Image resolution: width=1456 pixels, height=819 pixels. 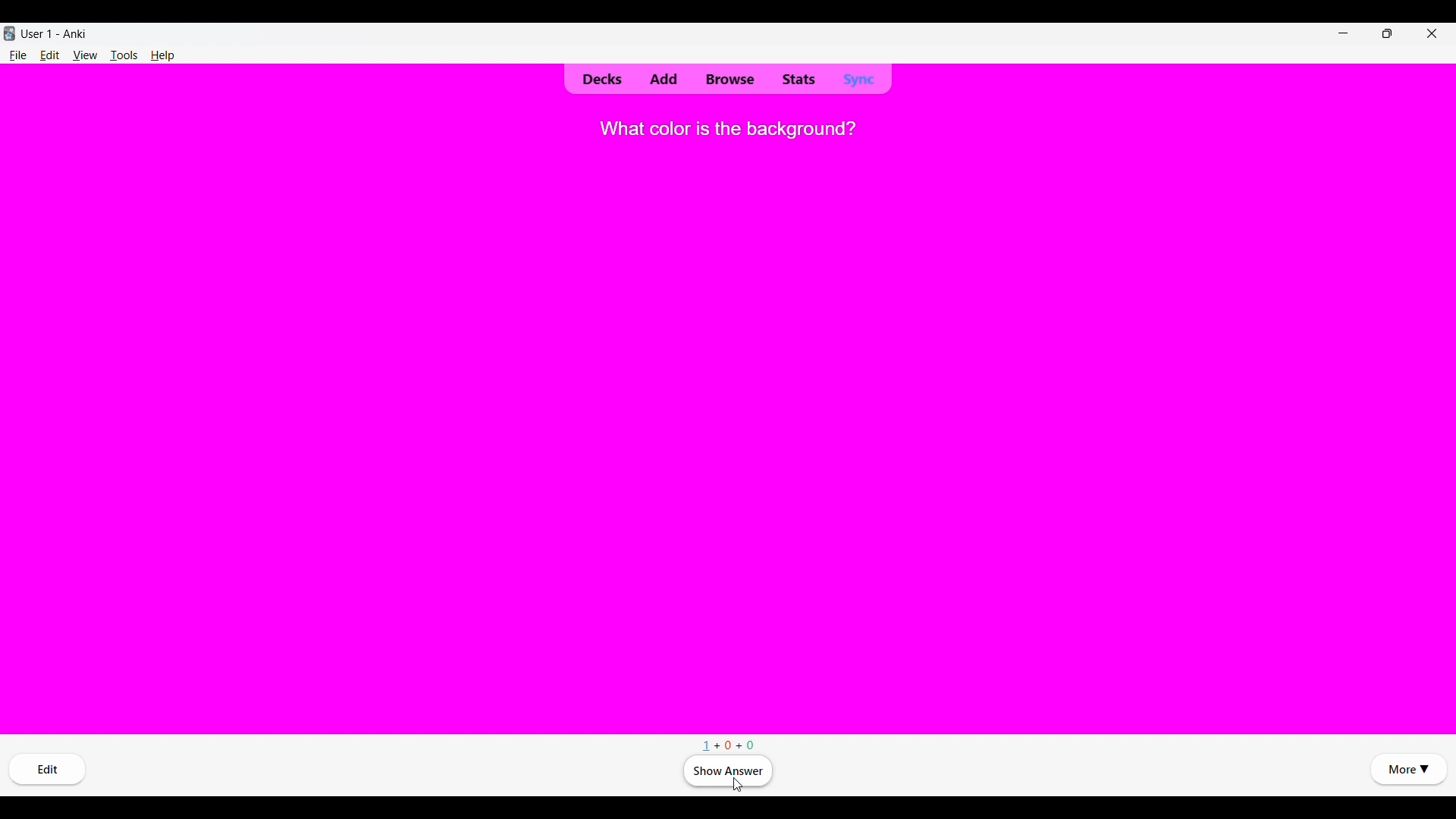 What do you see at coordinates (660, 79) in the screenshot?
I see `Add` at bounding box center [660, 79].